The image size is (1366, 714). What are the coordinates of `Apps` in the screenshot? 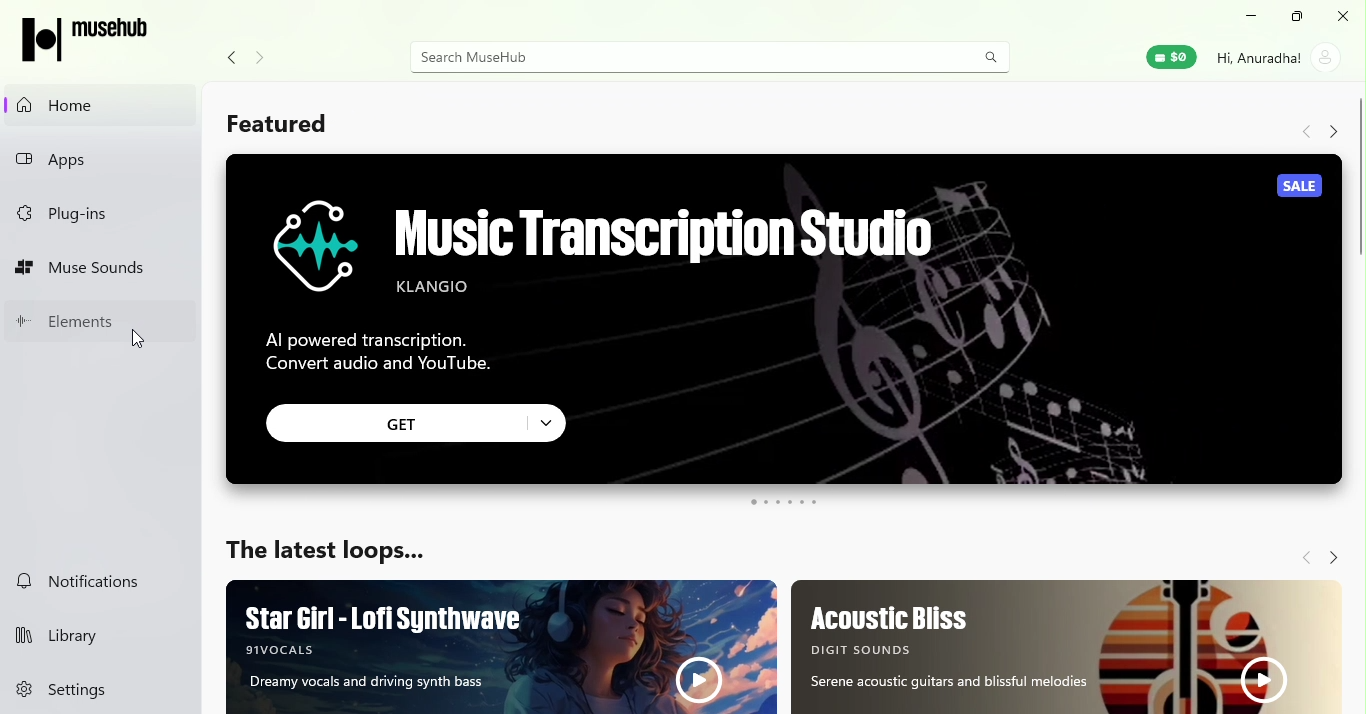 It's located at (103, 156).